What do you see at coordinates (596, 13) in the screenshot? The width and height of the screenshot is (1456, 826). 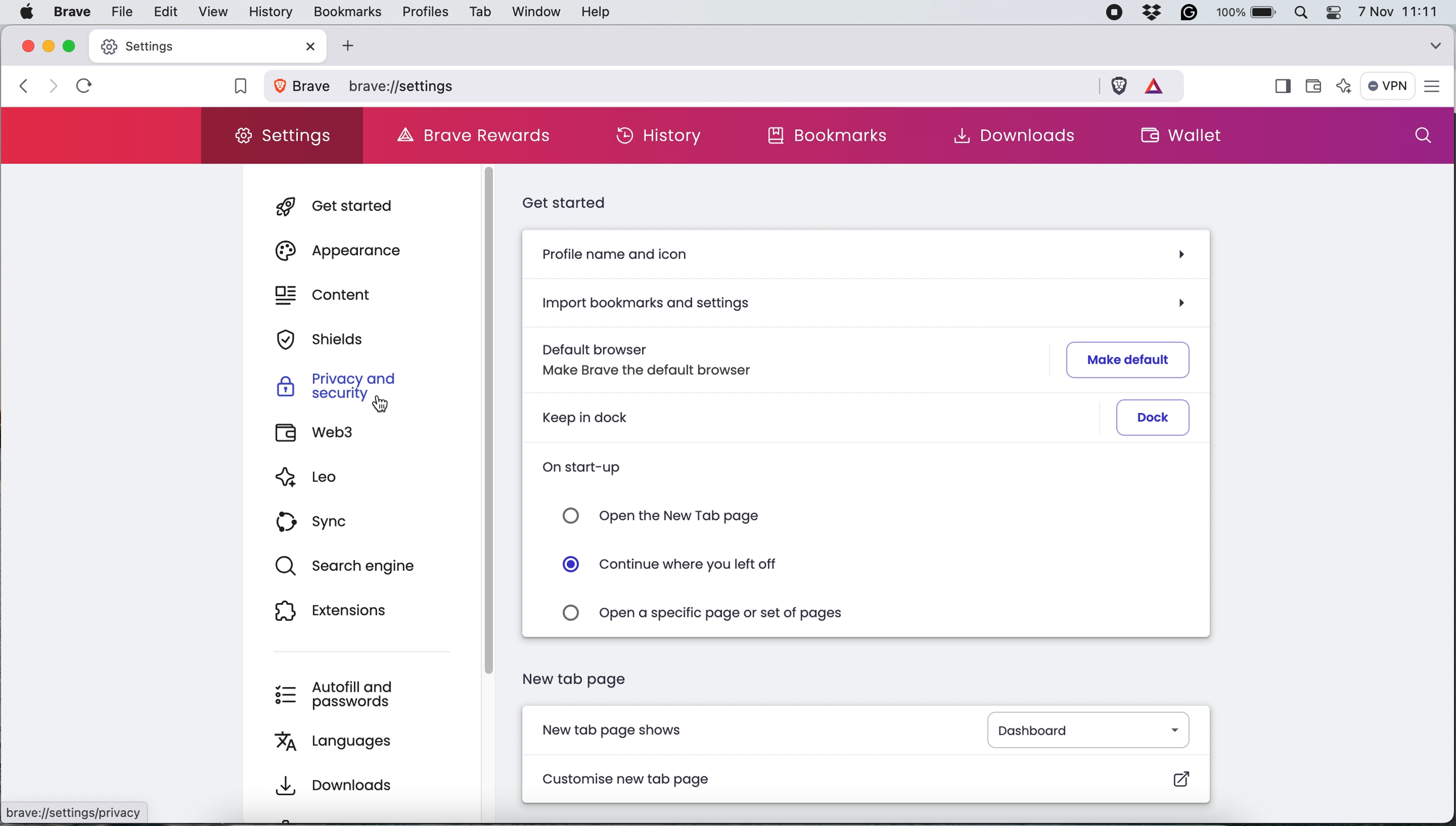 I see `help` at bounding box center [596, 13].